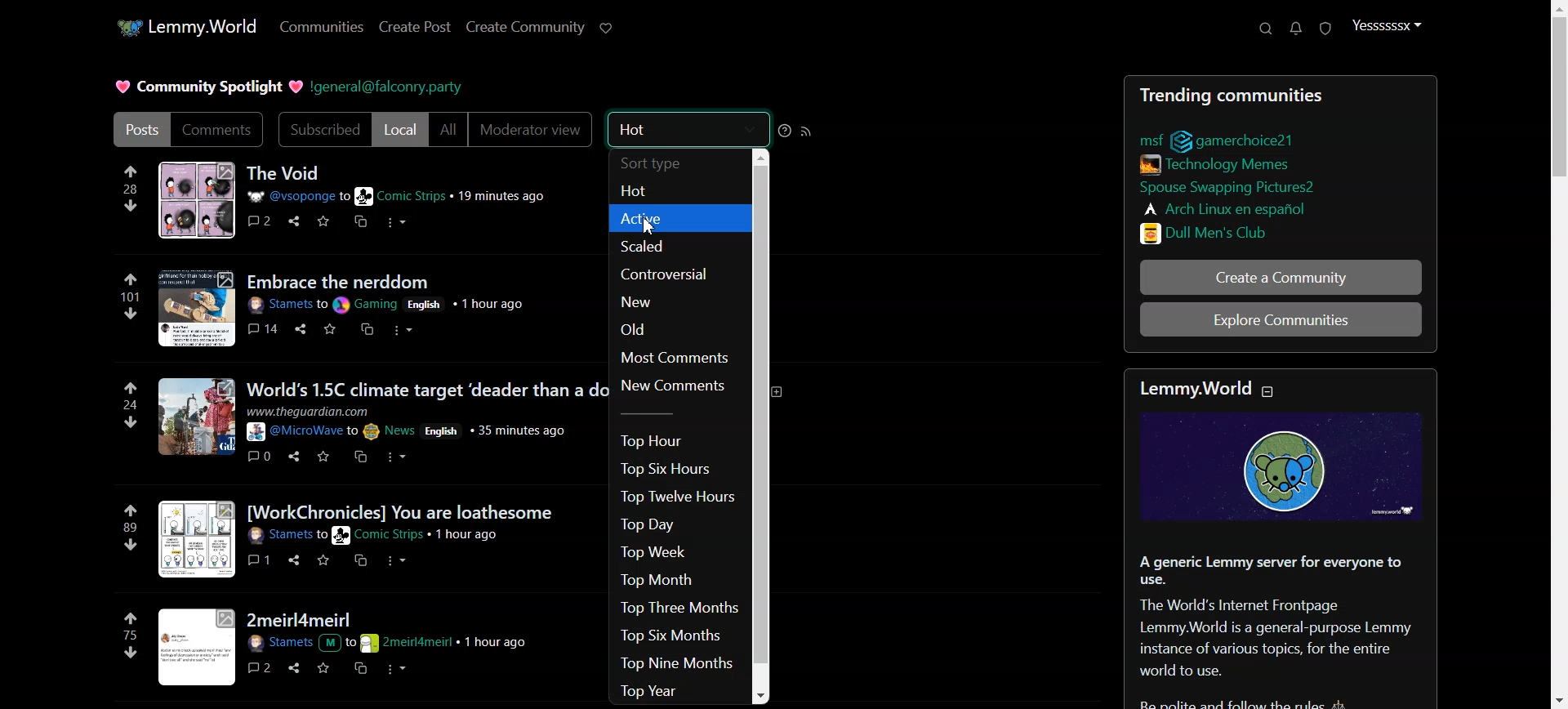 The height and width of the screenshot is (709, 1568). What do you see at coordinates (130, 280) in the screenshot?
I see `upvote` at bounding box center [130, 280].